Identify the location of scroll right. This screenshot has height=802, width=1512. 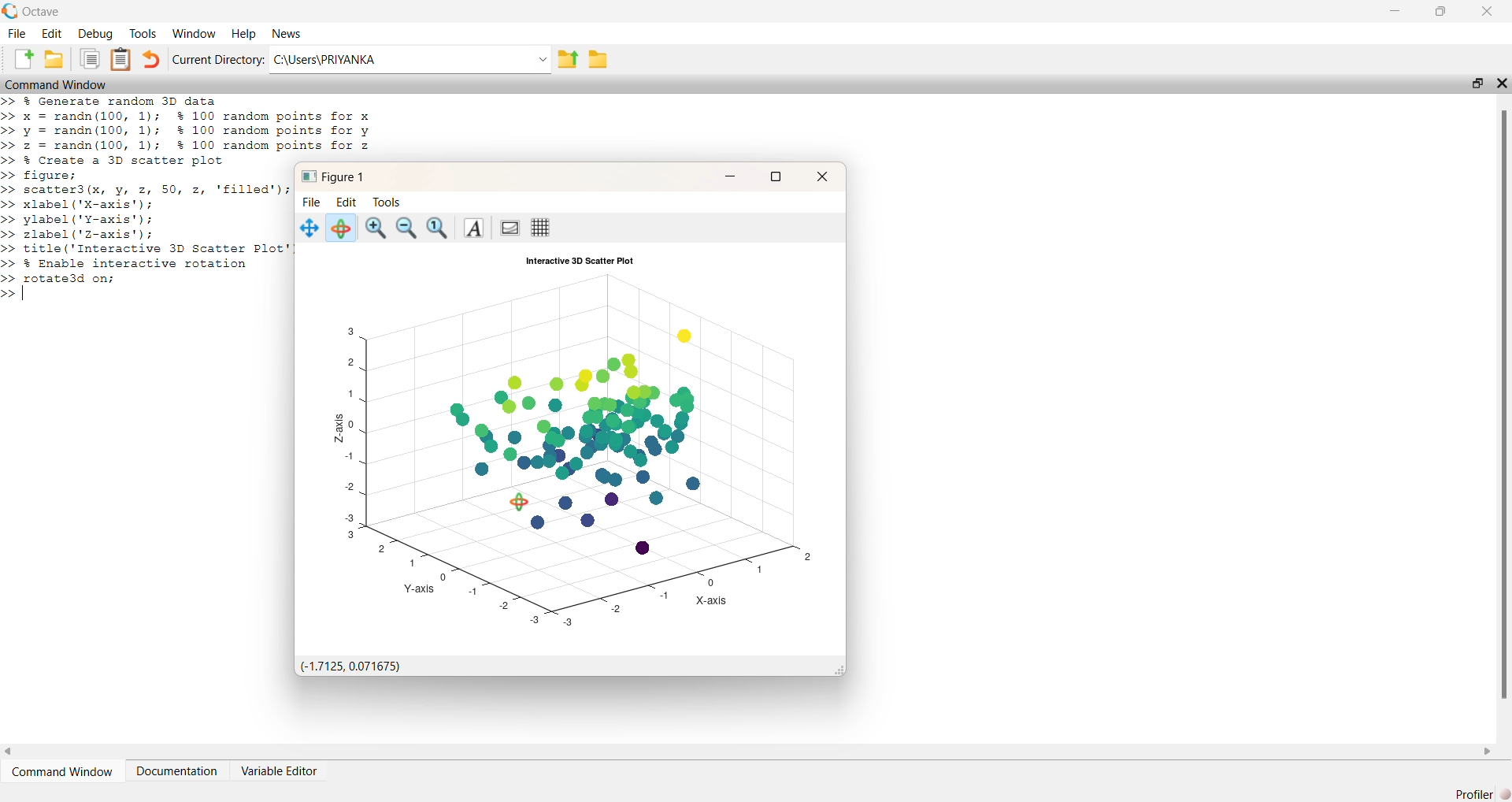
(1487, 752).